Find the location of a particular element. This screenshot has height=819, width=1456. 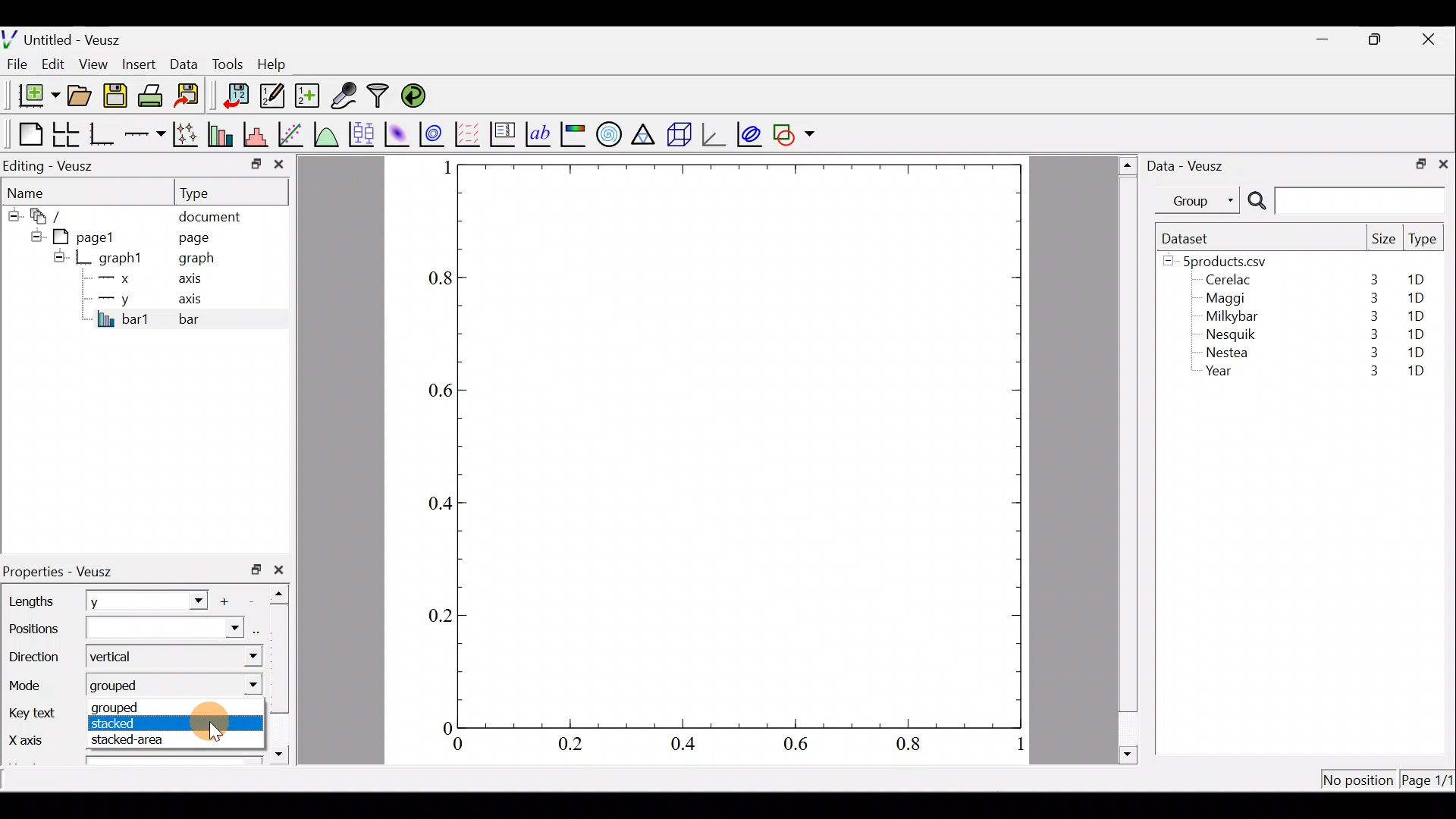

Key text is located at coordinates (33, 713).